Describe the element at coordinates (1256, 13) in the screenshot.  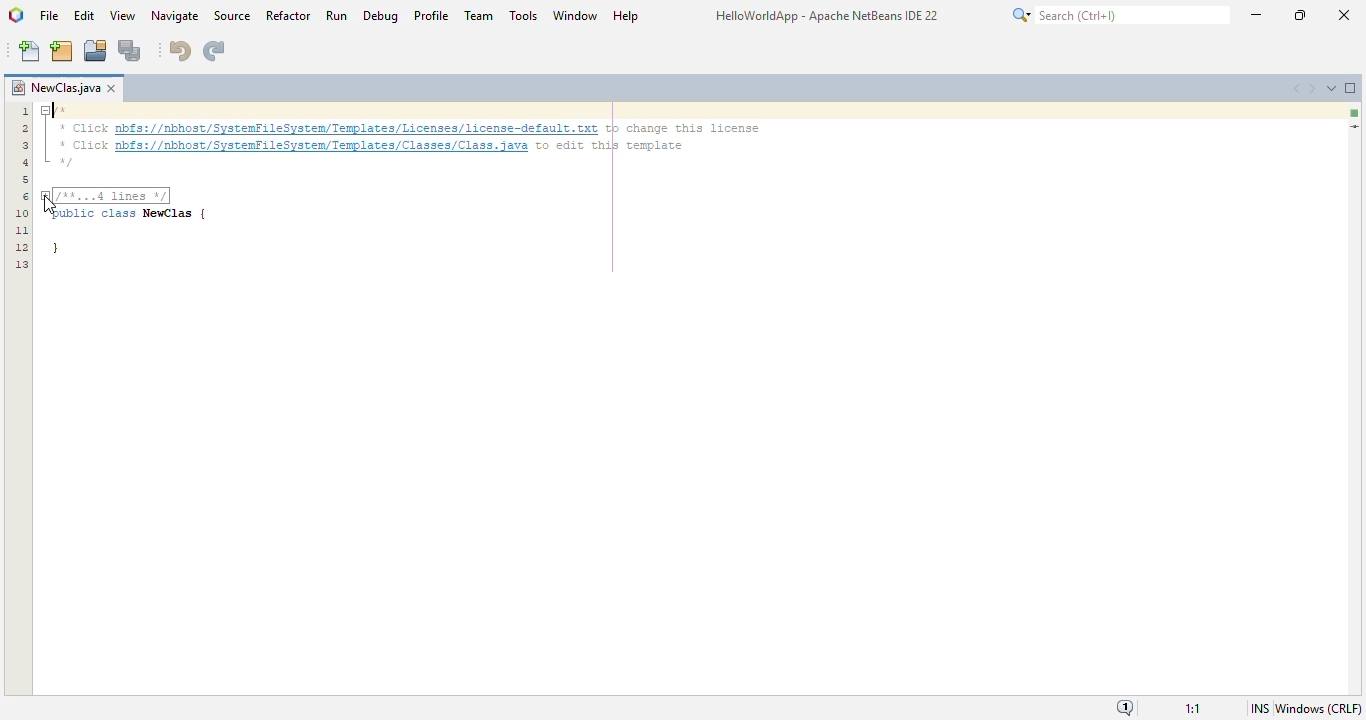
I see `minimize` at that location.